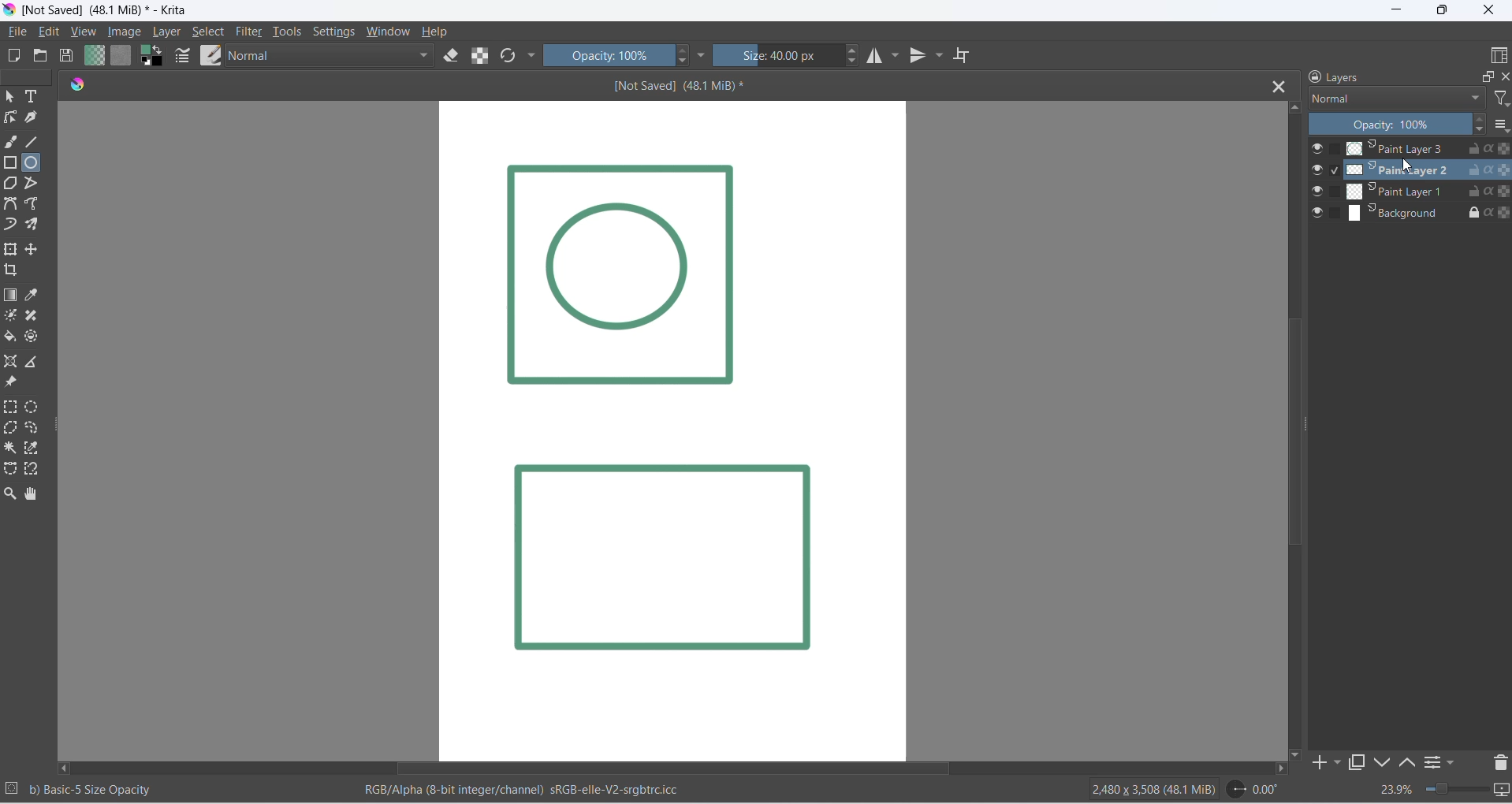 The image size is (1512, 804). I want to click on b) Basic - 5 Size Opacity, so click(99, 791).